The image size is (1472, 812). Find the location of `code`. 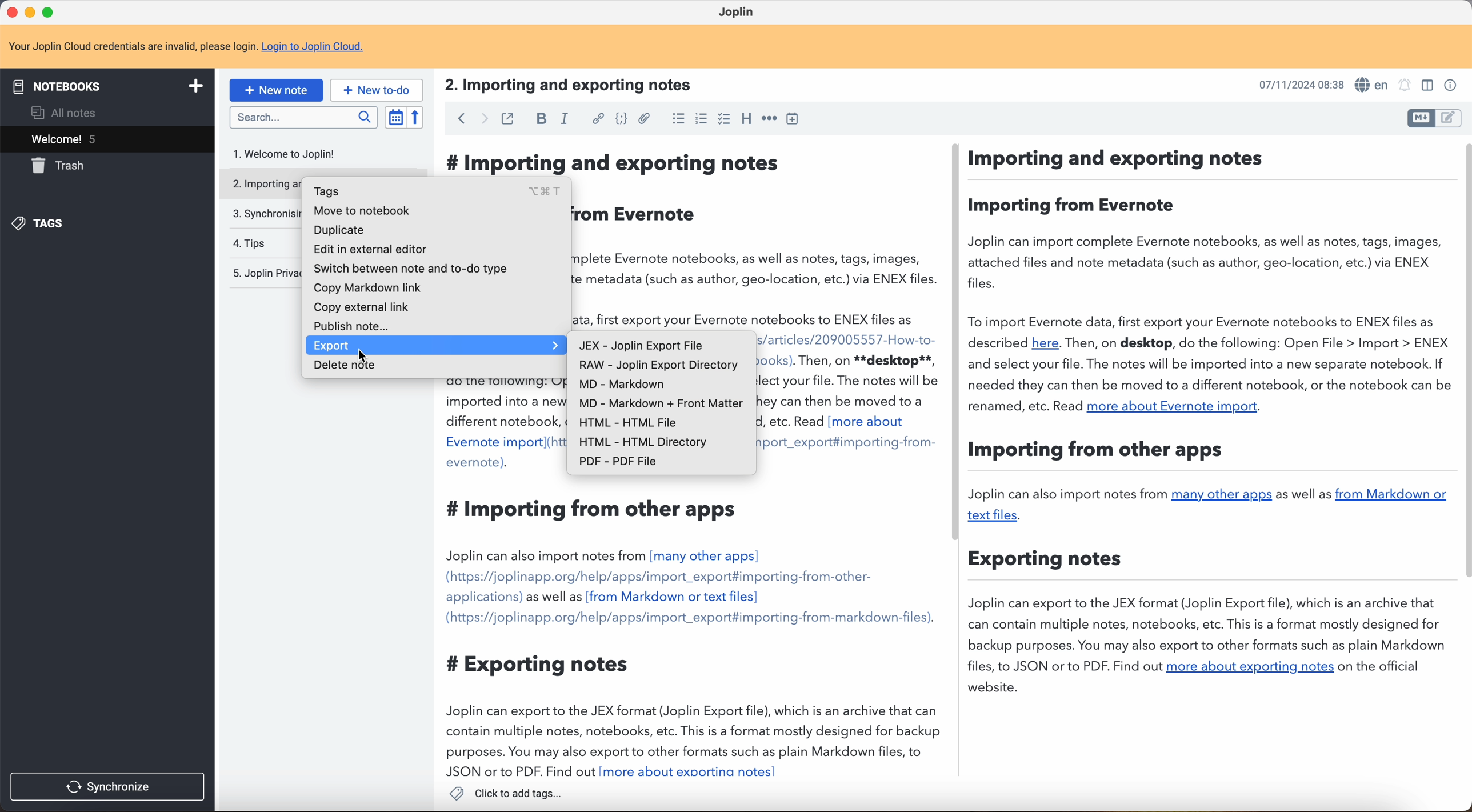

code is located at coordinates (620, 120).